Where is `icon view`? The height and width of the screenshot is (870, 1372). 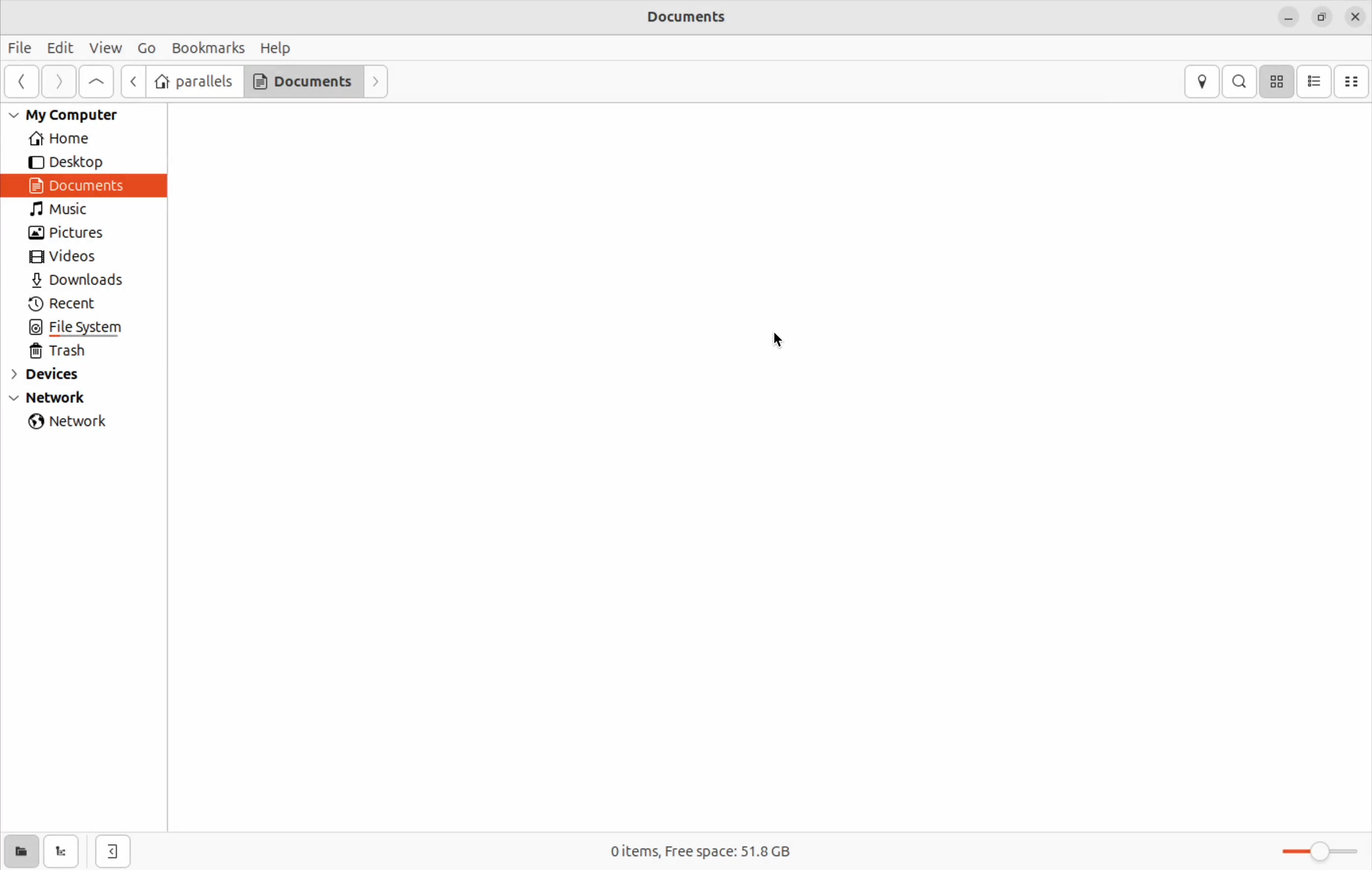 icon view is located at coordinates (1279, 83).